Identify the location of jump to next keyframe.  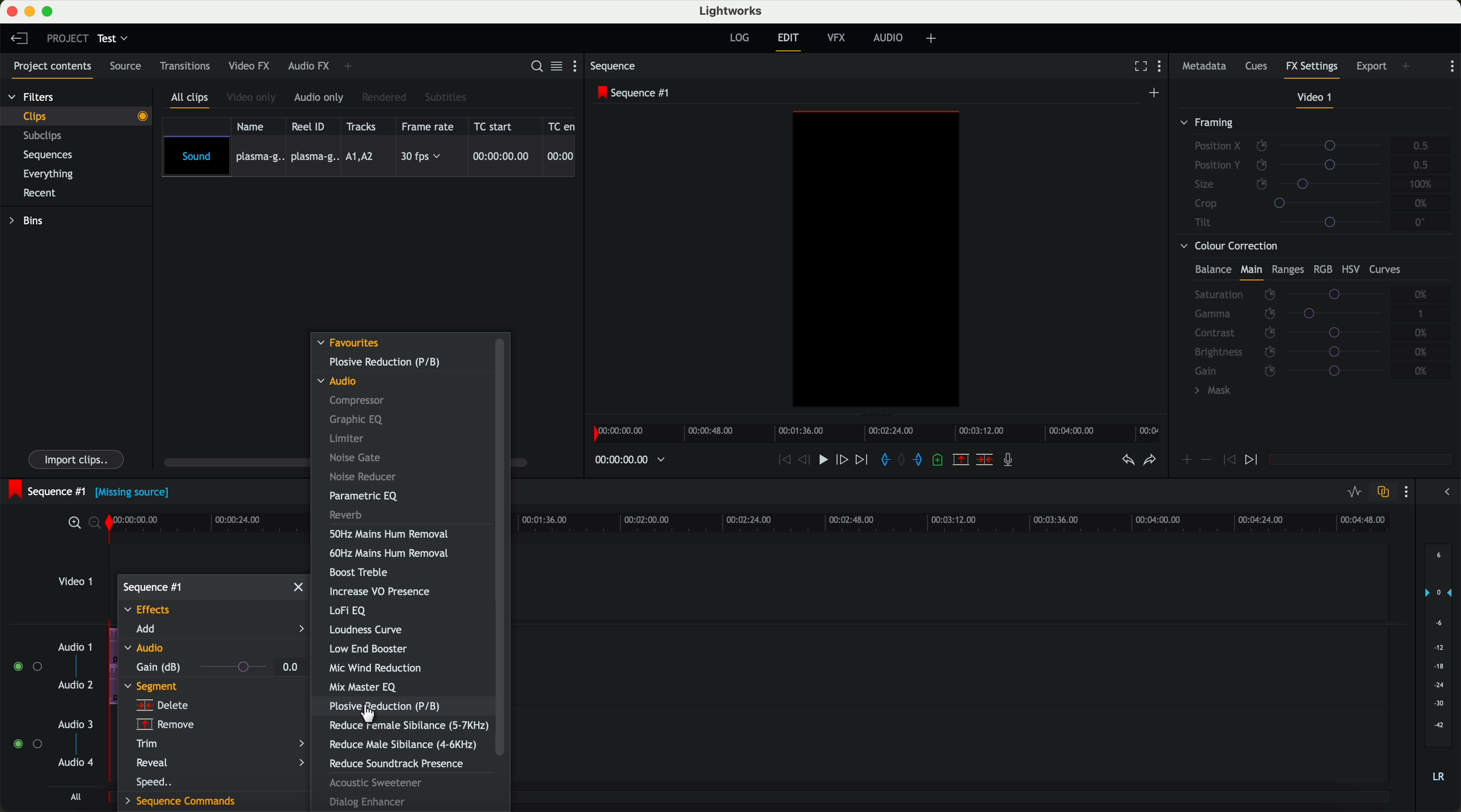
(1253, 460).